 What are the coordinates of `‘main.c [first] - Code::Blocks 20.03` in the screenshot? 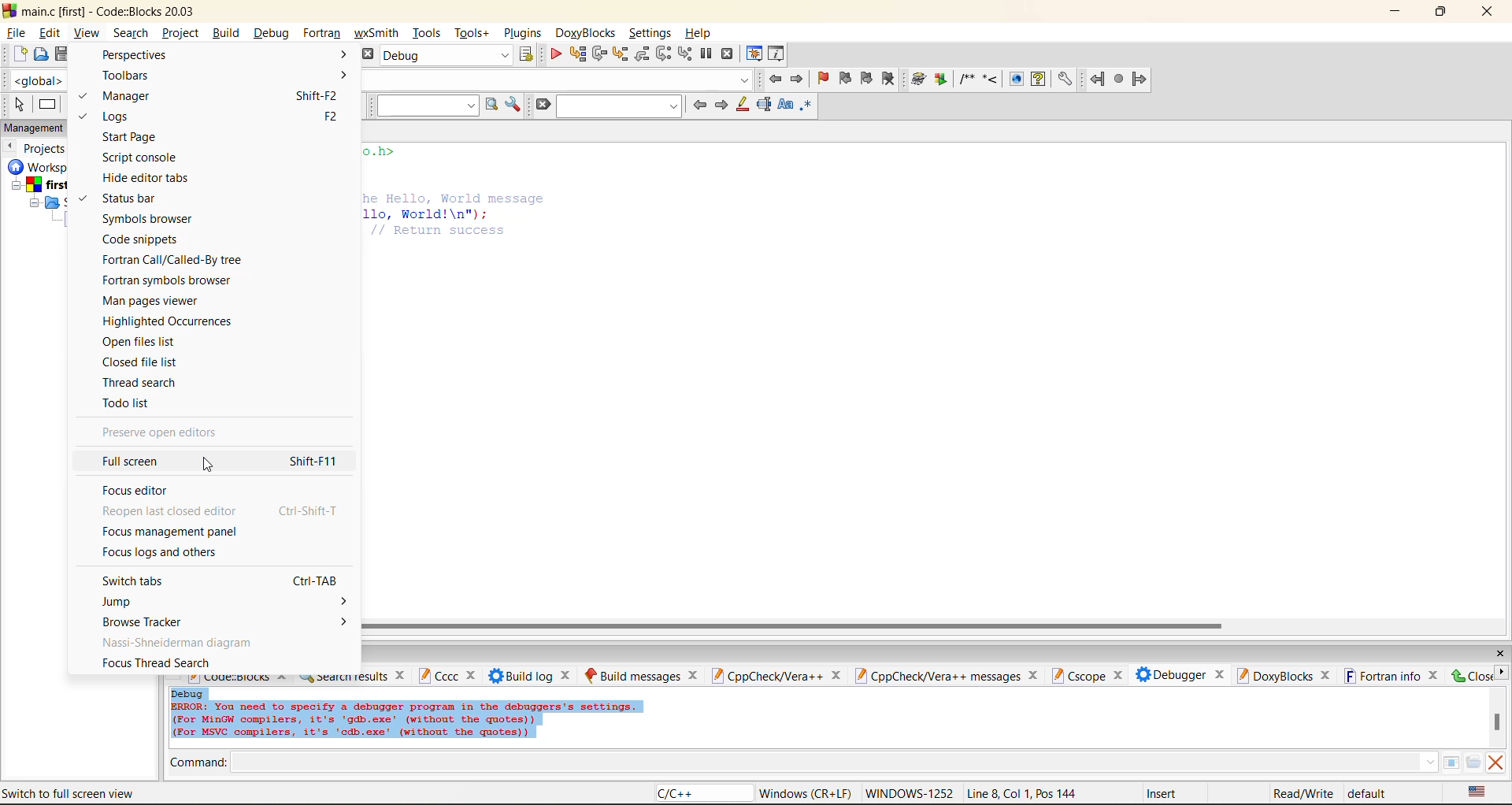 It's located at (103, 12).